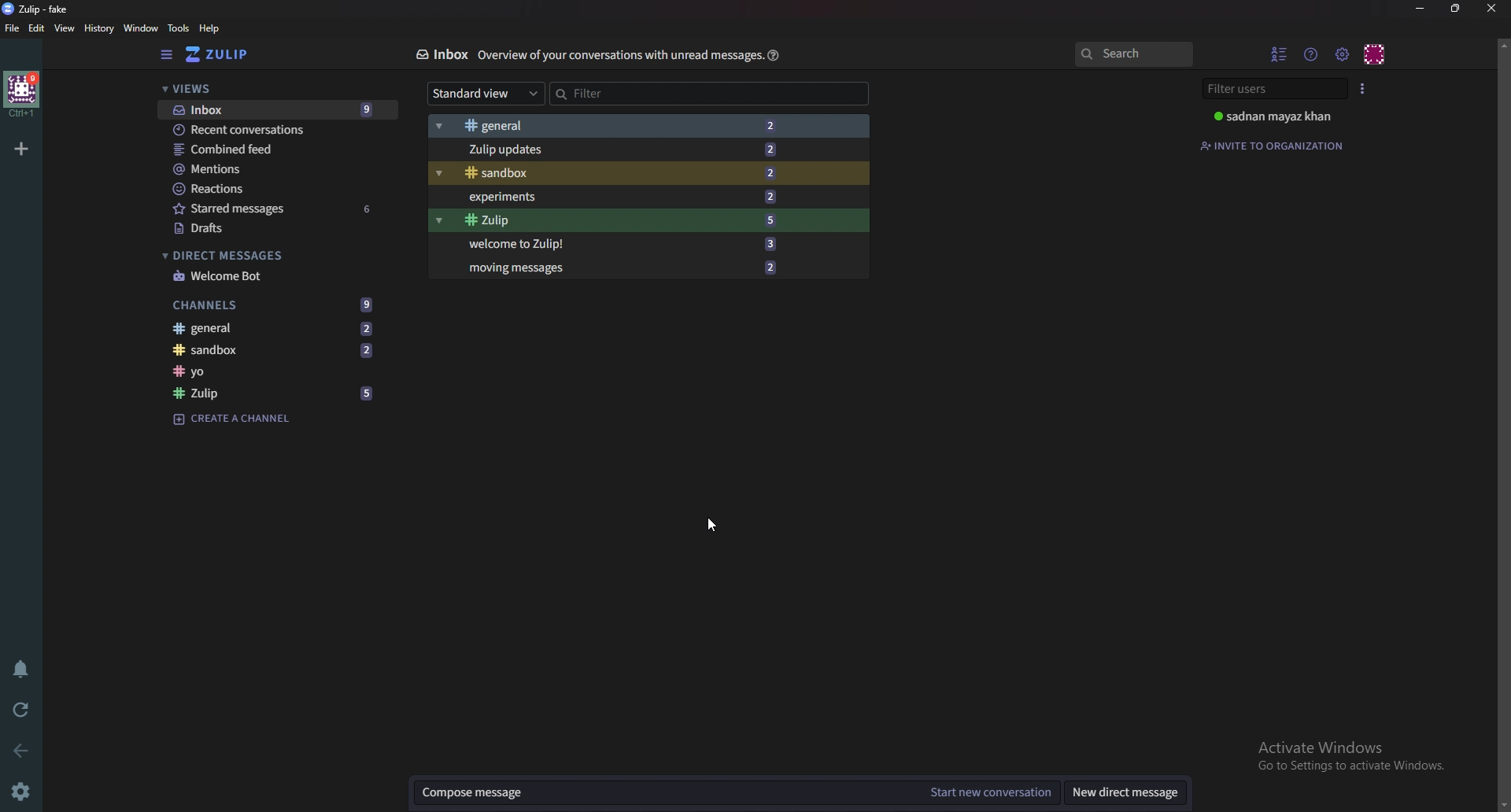 This screenshot has width=1511, height=812. Describe the element at coordinates (617, 221) in the screenshot. I see `Zulip` at that location.